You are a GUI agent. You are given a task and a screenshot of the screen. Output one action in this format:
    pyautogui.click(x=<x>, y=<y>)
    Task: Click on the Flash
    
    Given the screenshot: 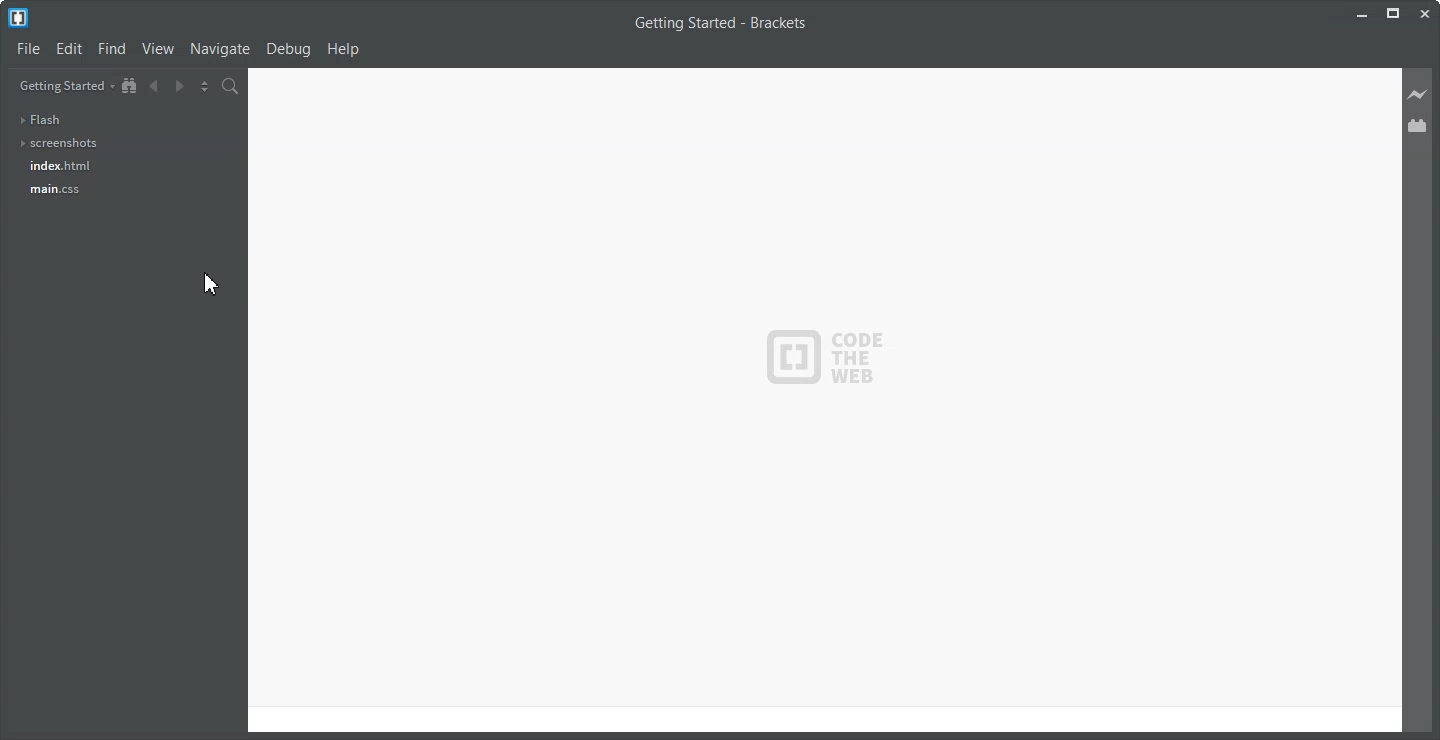 What is the action you would take?
    pyautogui.click(x=46, y=119)
    